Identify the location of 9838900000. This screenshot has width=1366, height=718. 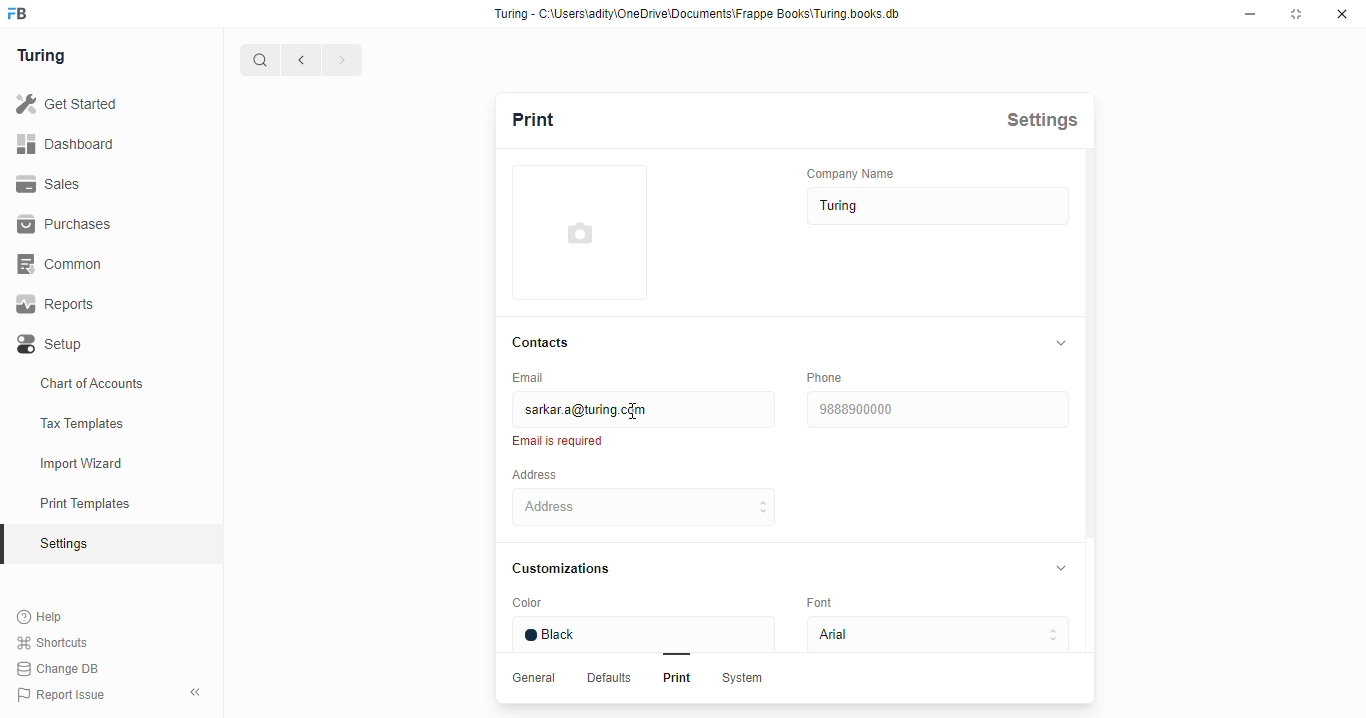
(939, 409).